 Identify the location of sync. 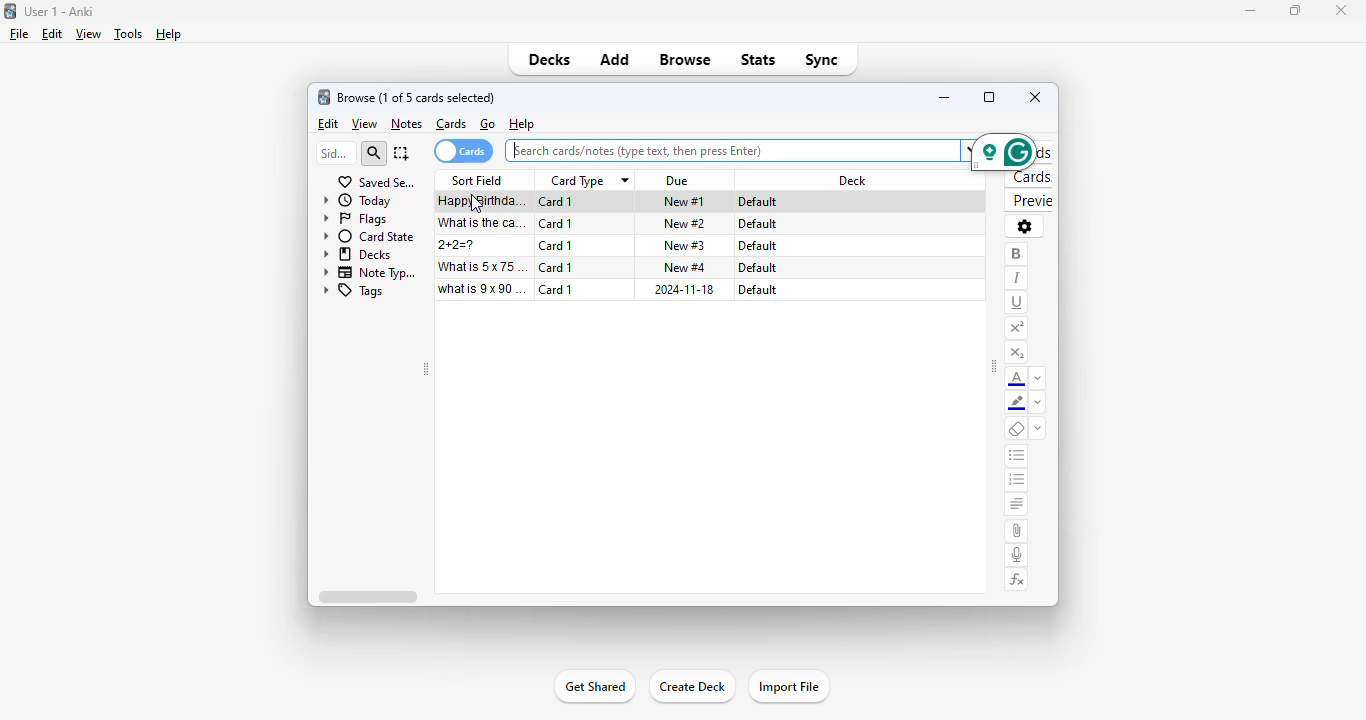
(823, 60).